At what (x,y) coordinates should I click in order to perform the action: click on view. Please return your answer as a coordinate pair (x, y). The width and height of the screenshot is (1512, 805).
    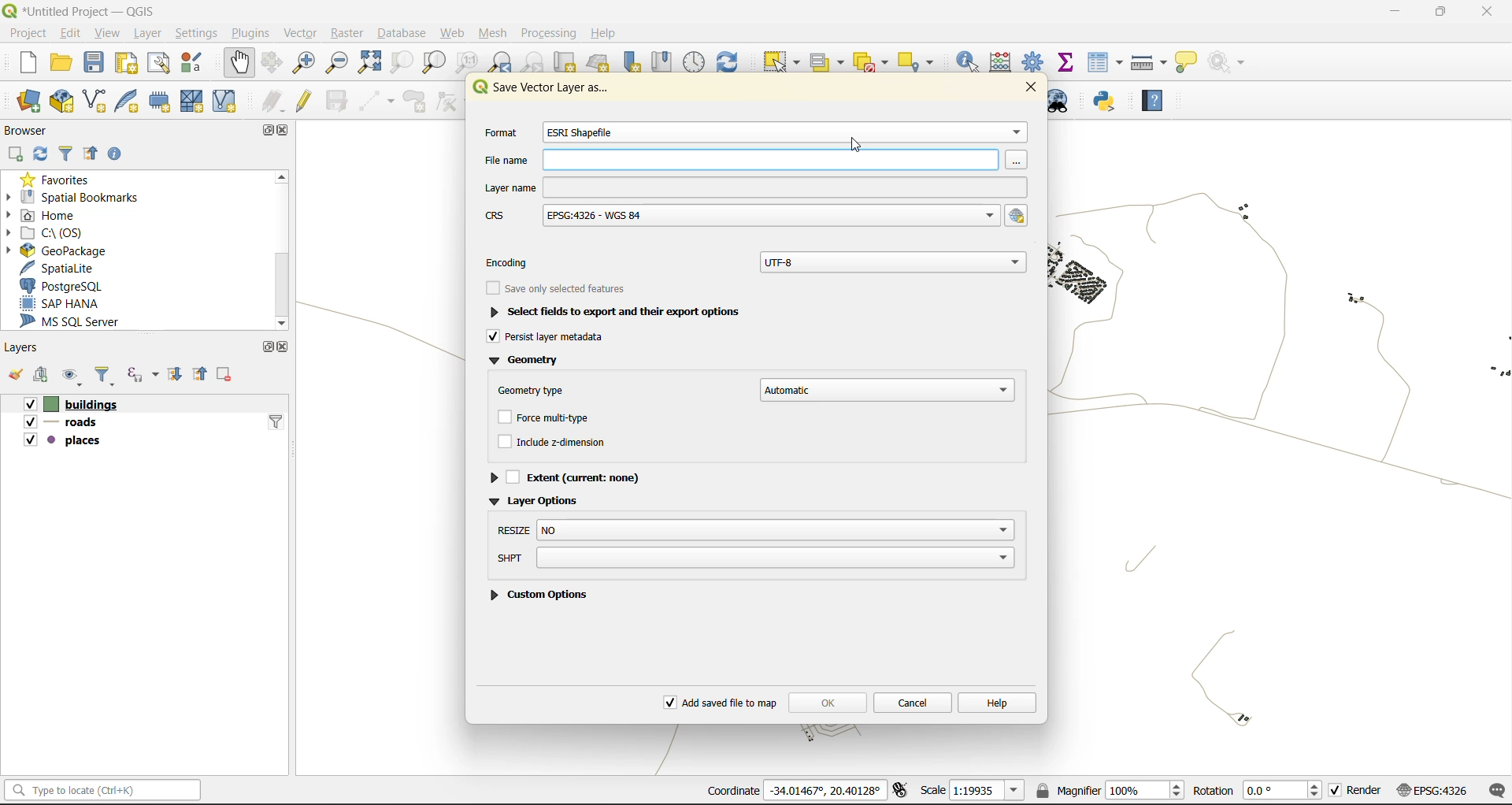
    Looking at the image, I should click on (107, 35).